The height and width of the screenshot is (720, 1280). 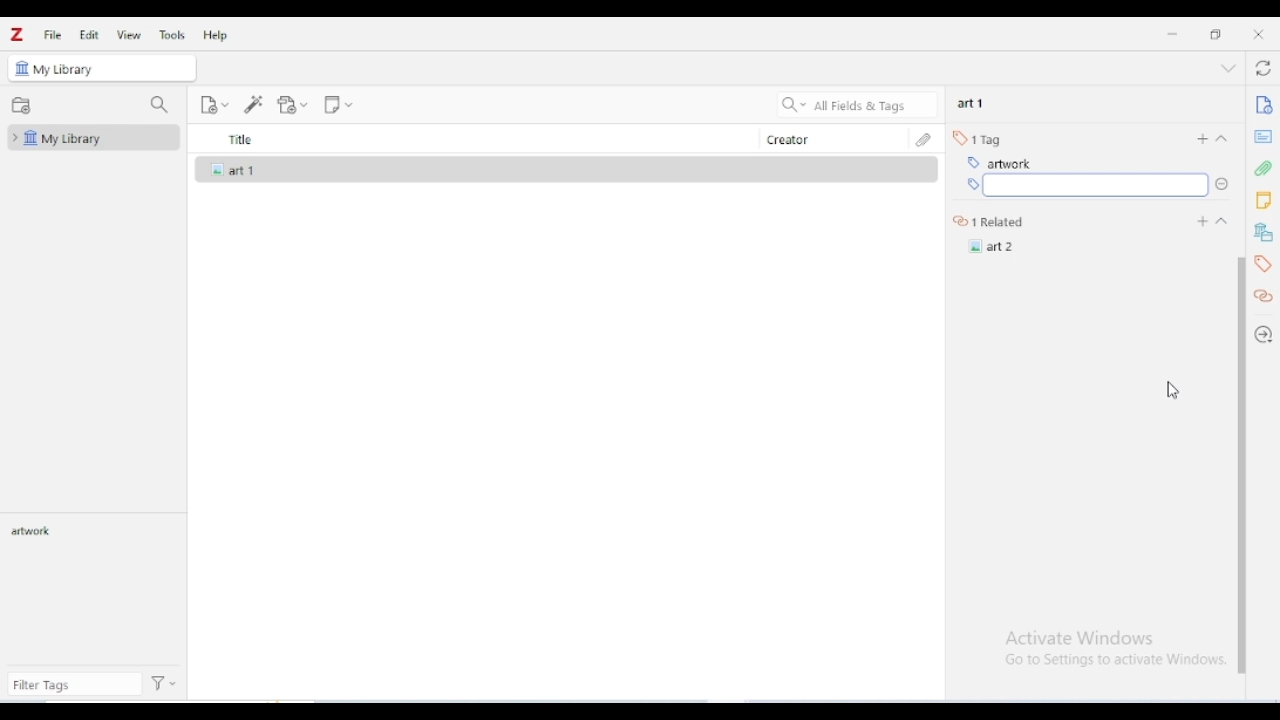 What do you see at coordinates (89, 35) in the screenshot?
I see `edit` at bounding box center [89, 35].